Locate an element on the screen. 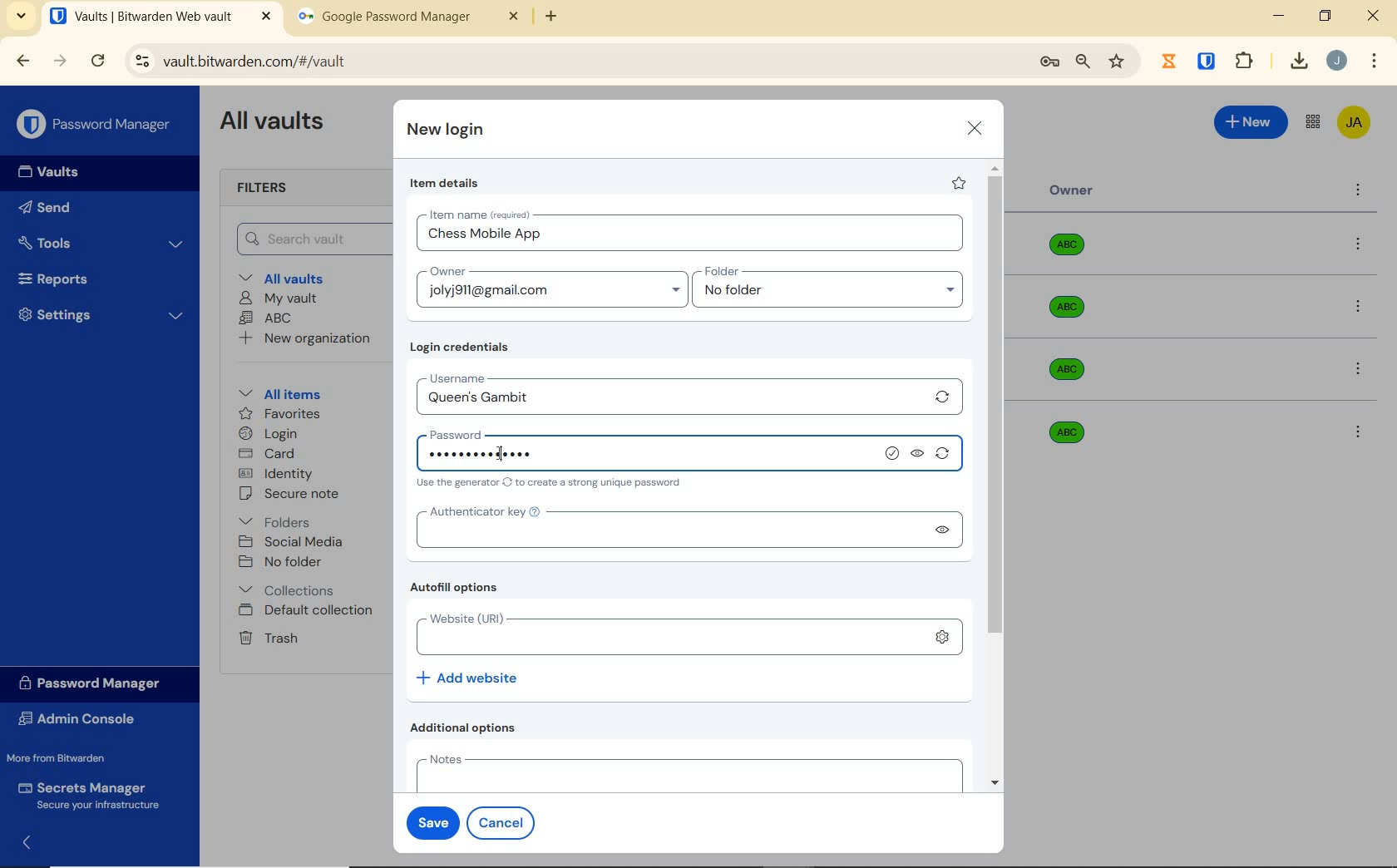  Vaults is located at coordinates (53, 172).